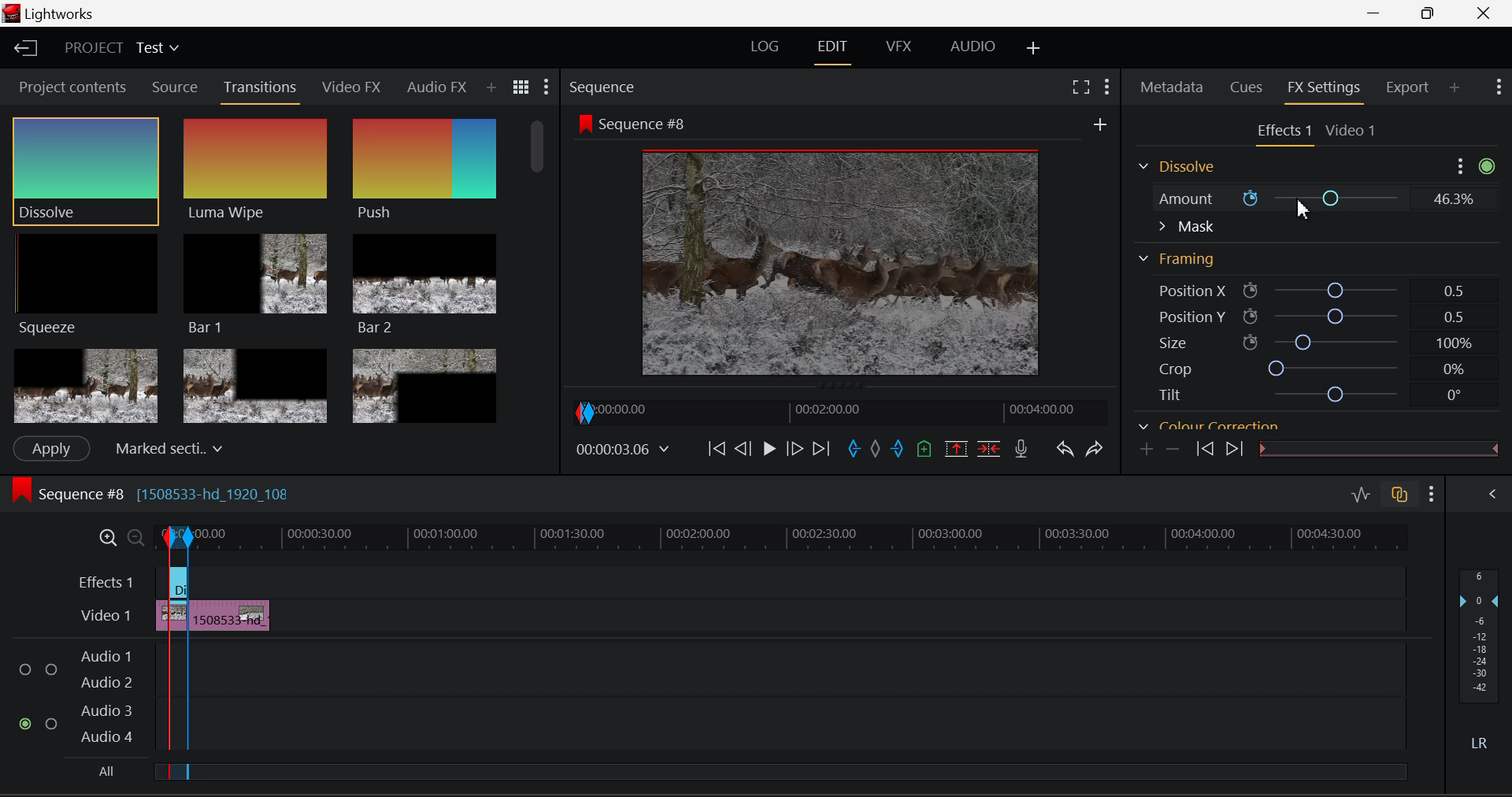 This screenshot has width=1512, height=797. I want to click on Segment Created with In and Out, so click(175, 703).